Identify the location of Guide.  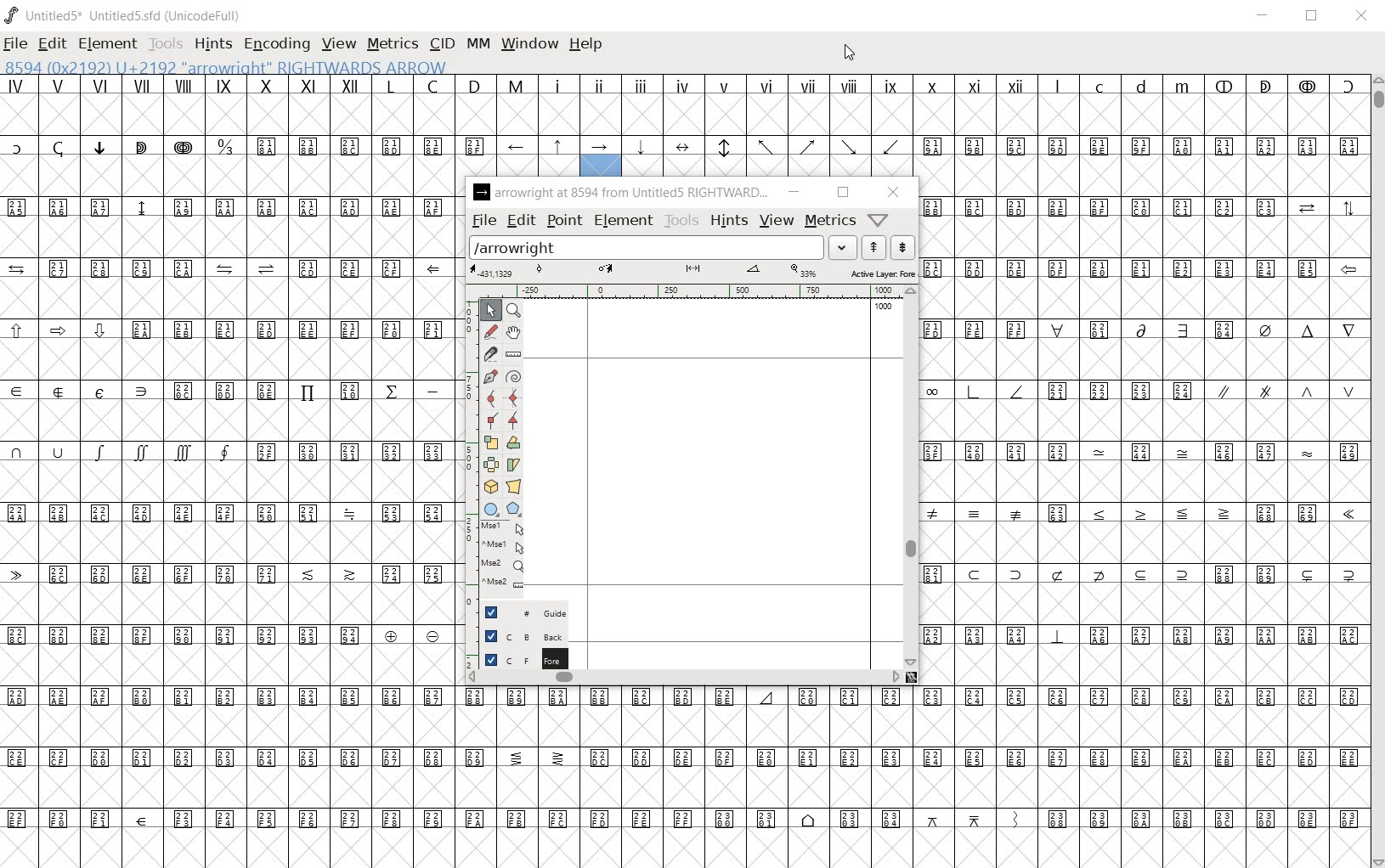
(517, 612).